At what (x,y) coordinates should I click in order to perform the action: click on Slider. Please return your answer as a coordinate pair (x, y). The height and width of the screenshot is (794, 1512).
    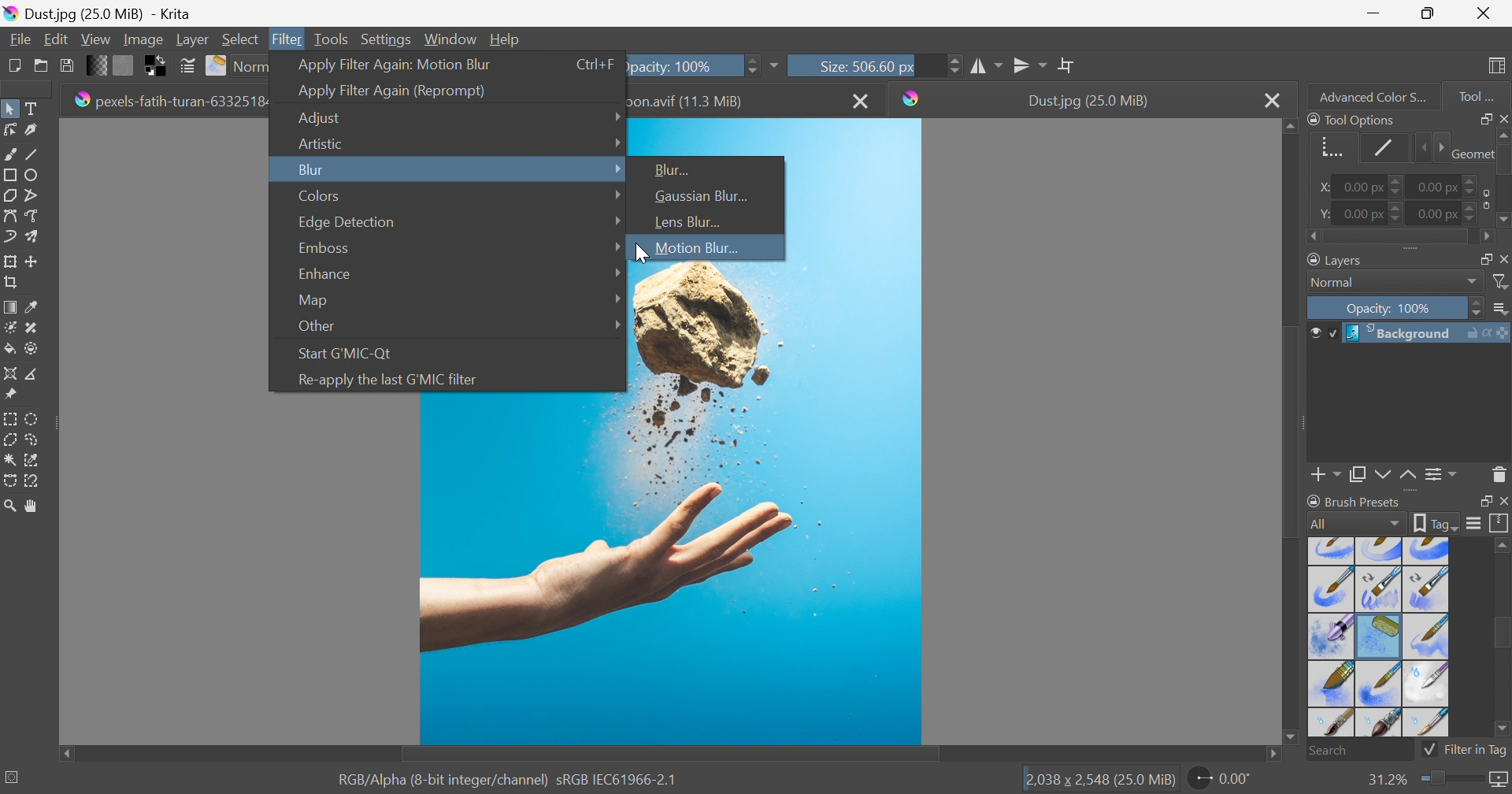
    Looking at the image, I should click on (750, 64).